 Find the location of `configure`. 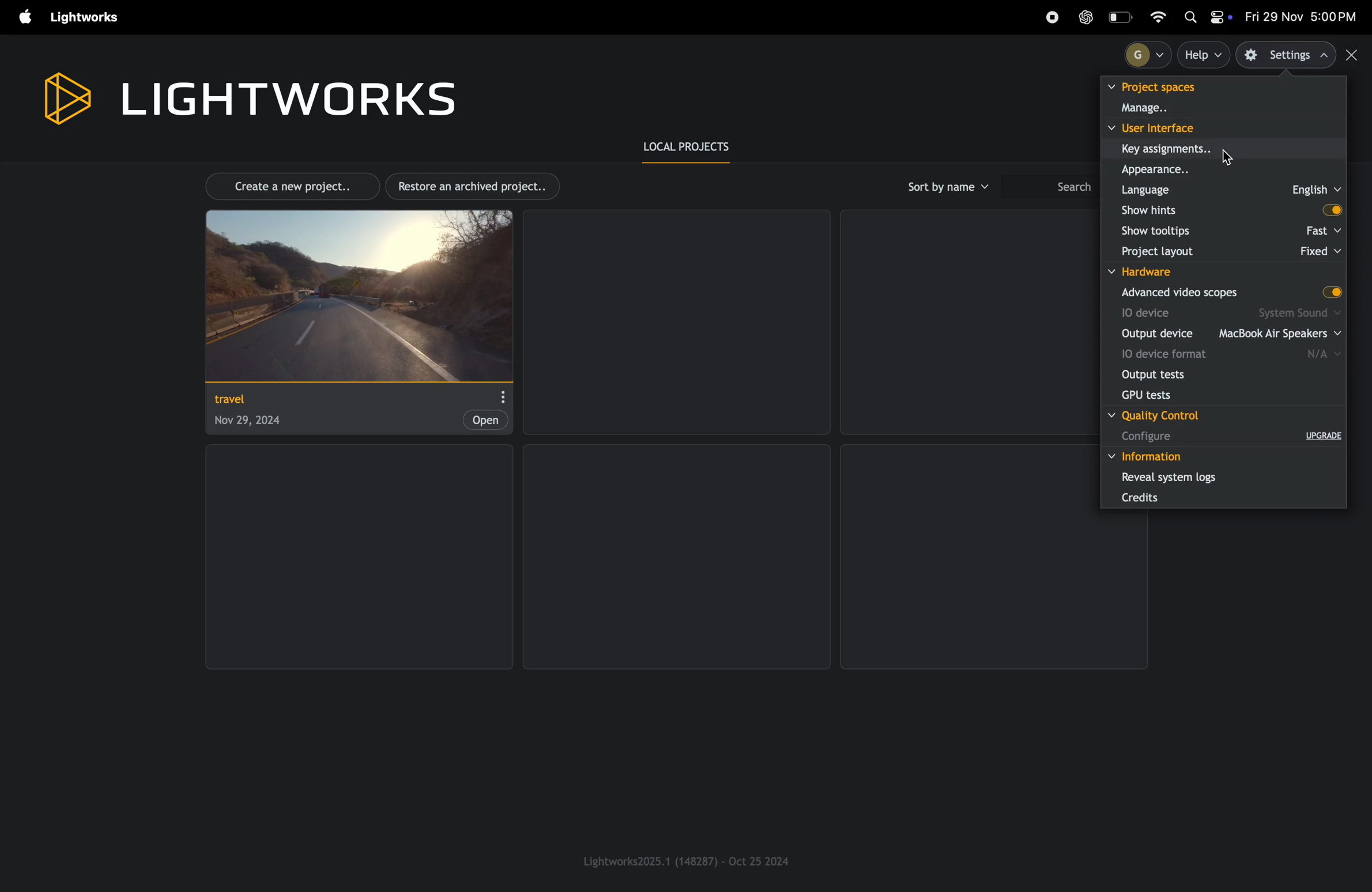

configure is located at coordinates (1227, 434).